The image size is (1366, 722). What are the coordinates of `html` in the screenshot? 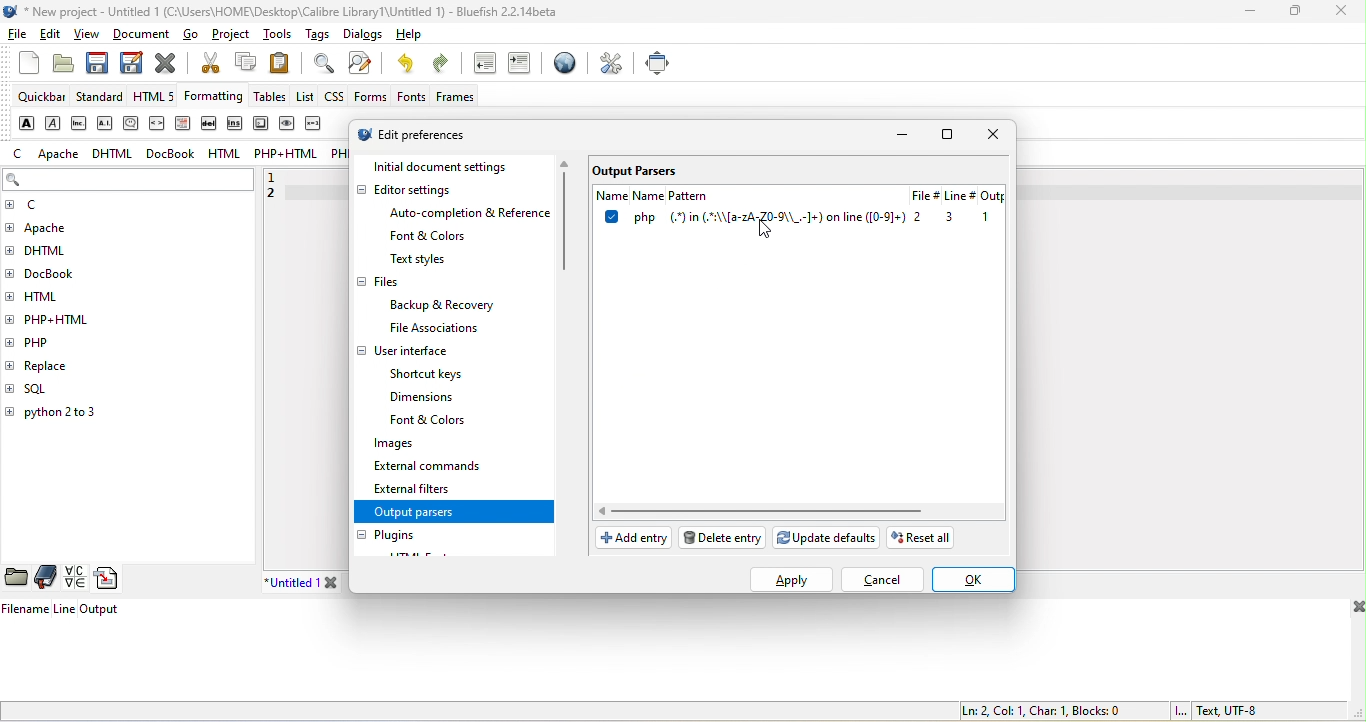 It's located at (51, 297).